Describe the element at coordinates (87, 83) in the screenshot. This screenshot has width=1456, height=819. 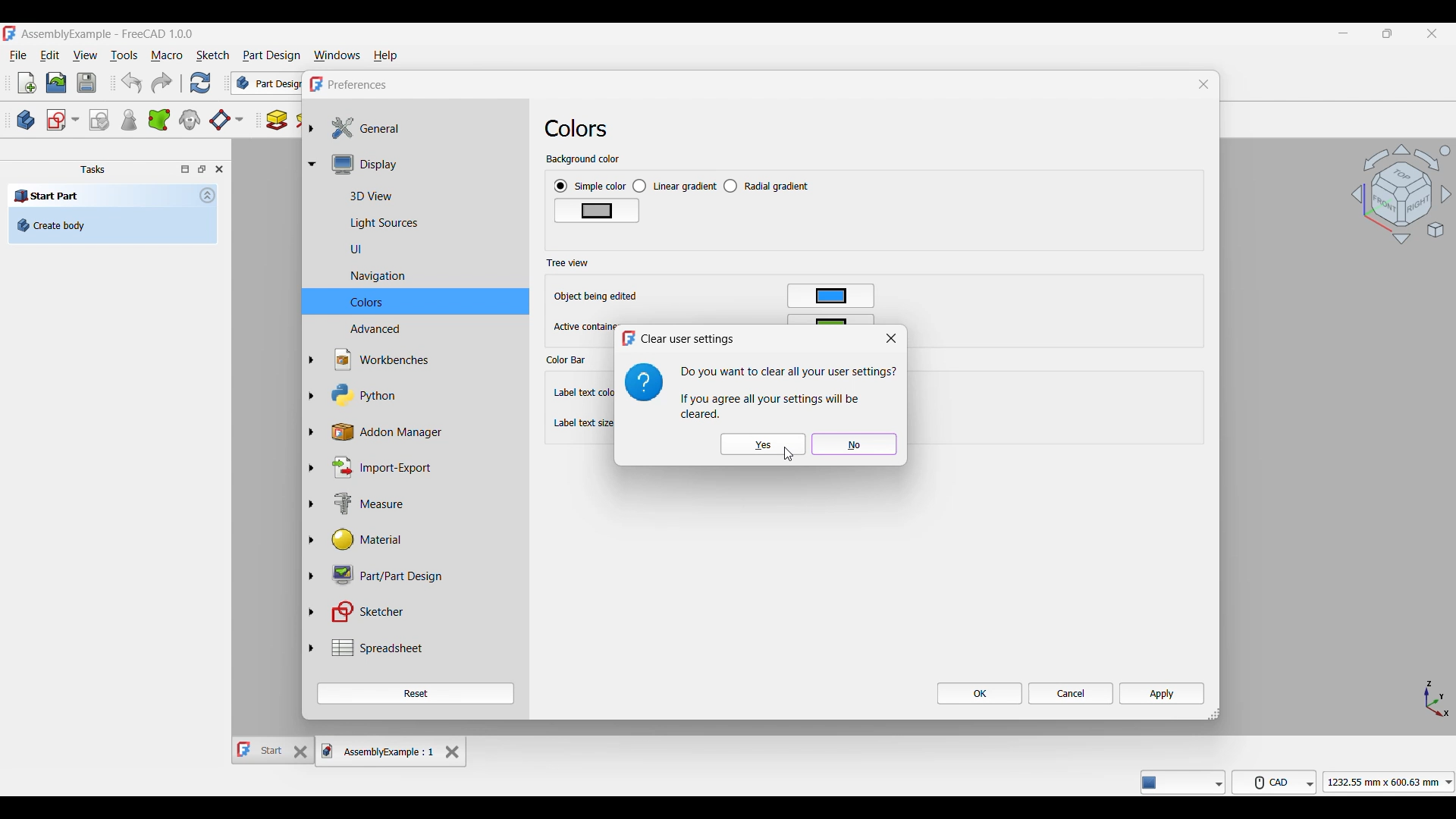
I see `Save` at that location.